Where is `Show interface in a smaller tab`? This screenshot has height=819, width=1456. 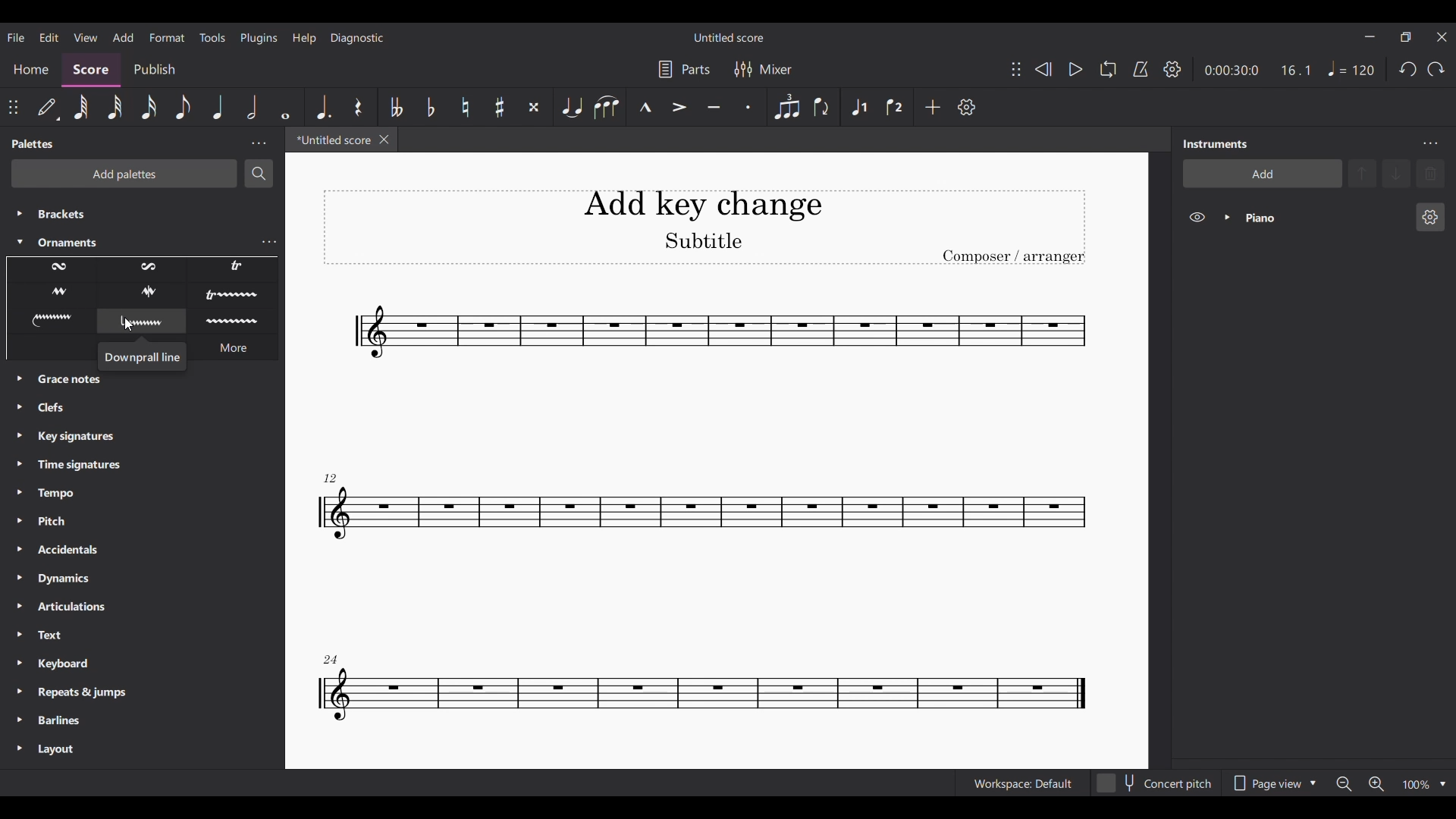 Show interface in a smaller tab is located at coordinates (1406, 36).